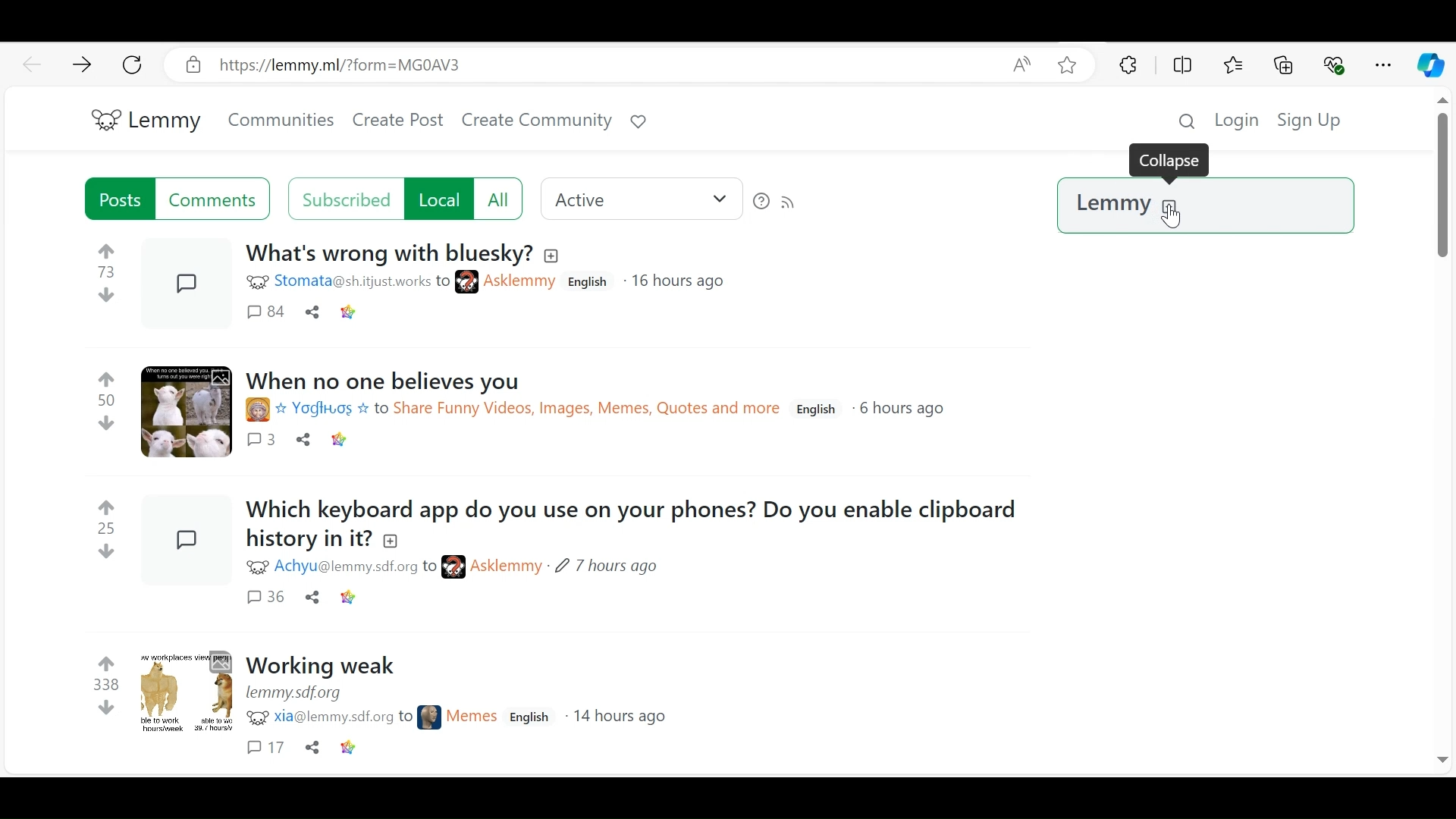  I want to click on mentions, so click(360, 281).